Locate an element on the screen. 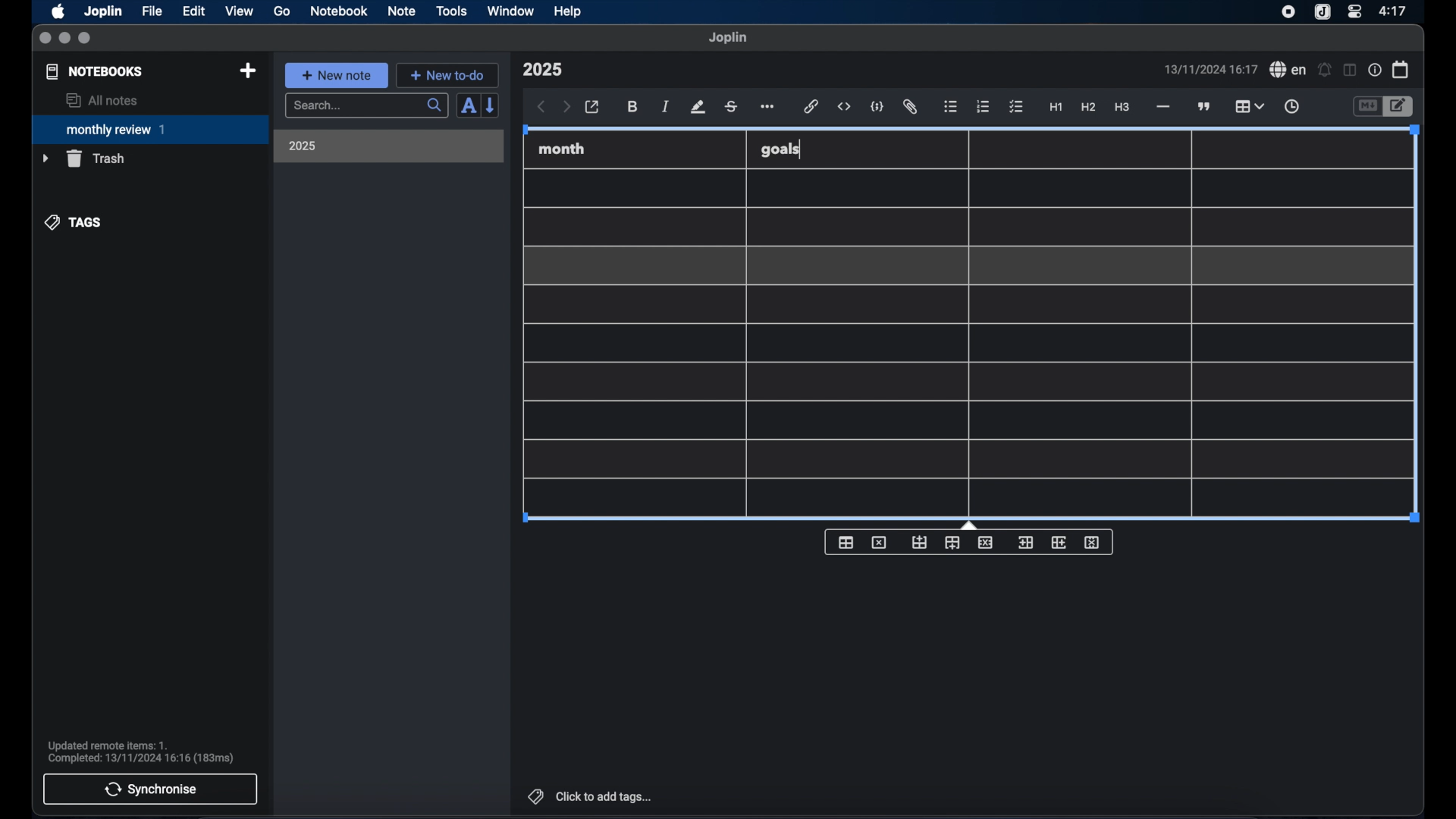  numbered list is located at coordinates (983, 106).